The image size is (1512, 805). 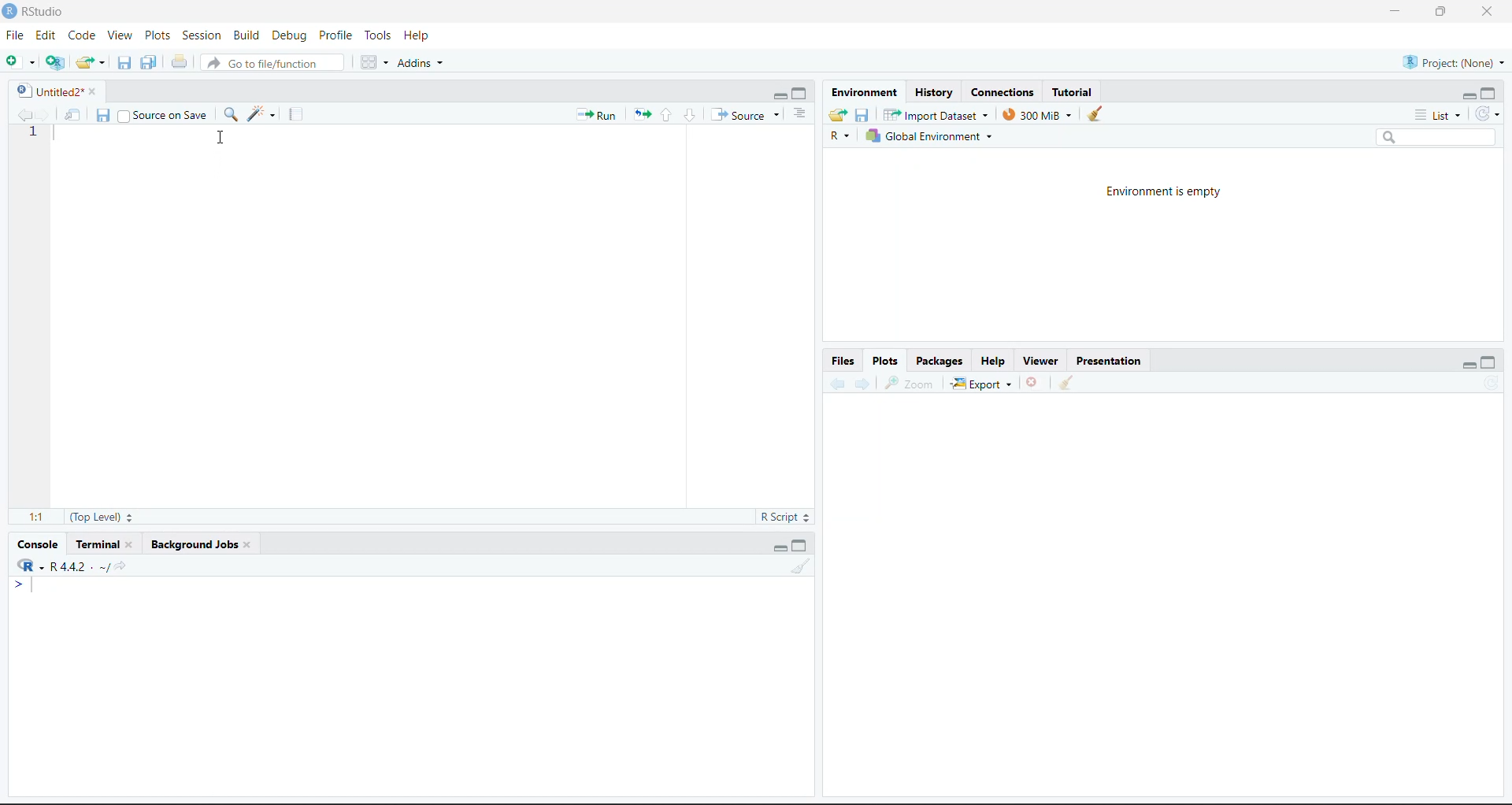 I want to click on  Untitled2, so click(x=54, y=91).